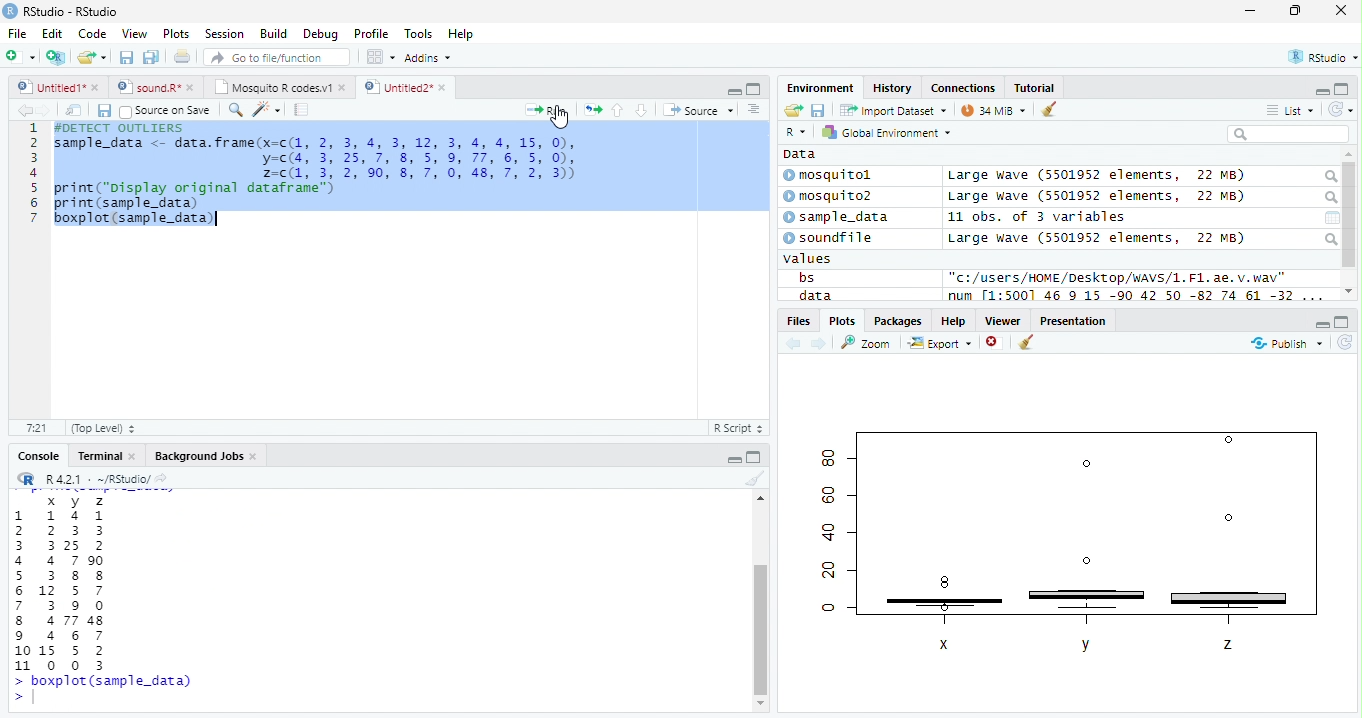 The height and width of the screenshot is (718, 1362). Describe the element at coordinates (1003, 321) in the screenshot. I see `Viewer` at that location.